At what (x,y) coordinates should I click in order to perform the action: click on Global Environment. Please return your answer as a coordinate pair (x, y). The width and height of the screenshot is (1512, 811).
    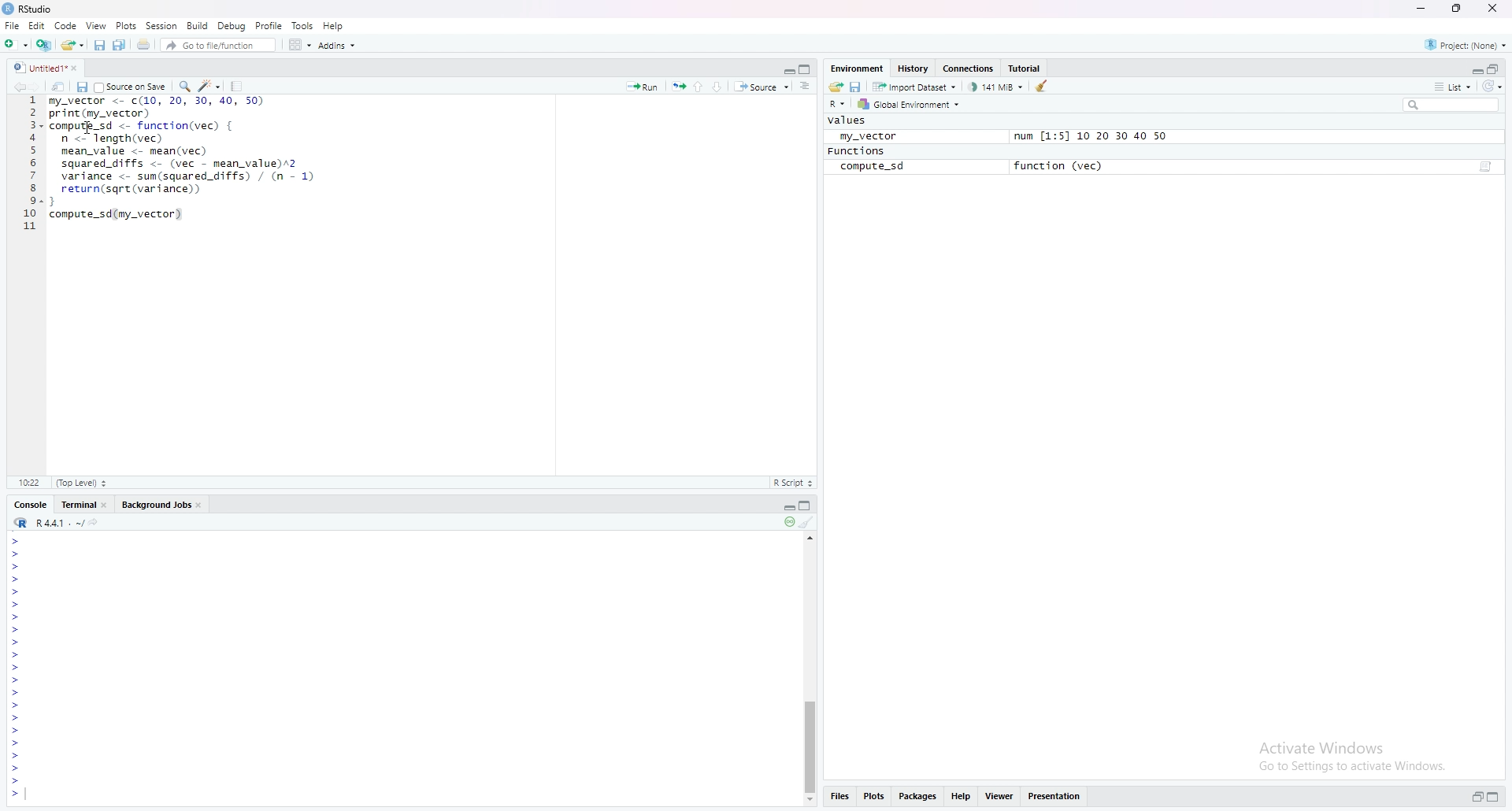
    Looking at the image, I should click on (909, 105).